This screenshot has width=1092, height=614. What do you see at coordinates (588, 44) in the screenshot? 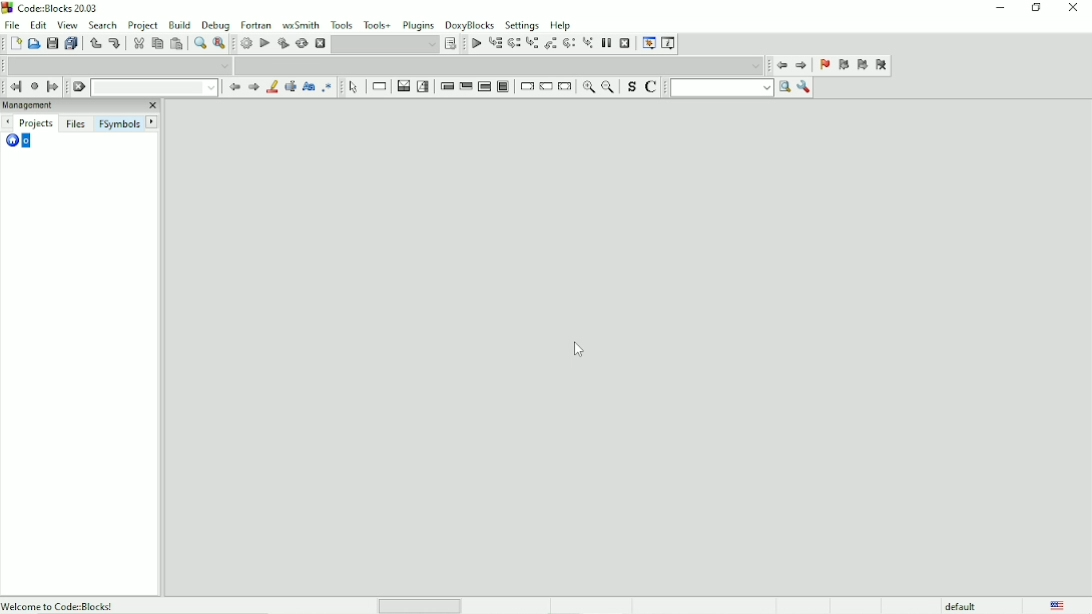
I see `Step into instruction` at bounding box center [588, 44].